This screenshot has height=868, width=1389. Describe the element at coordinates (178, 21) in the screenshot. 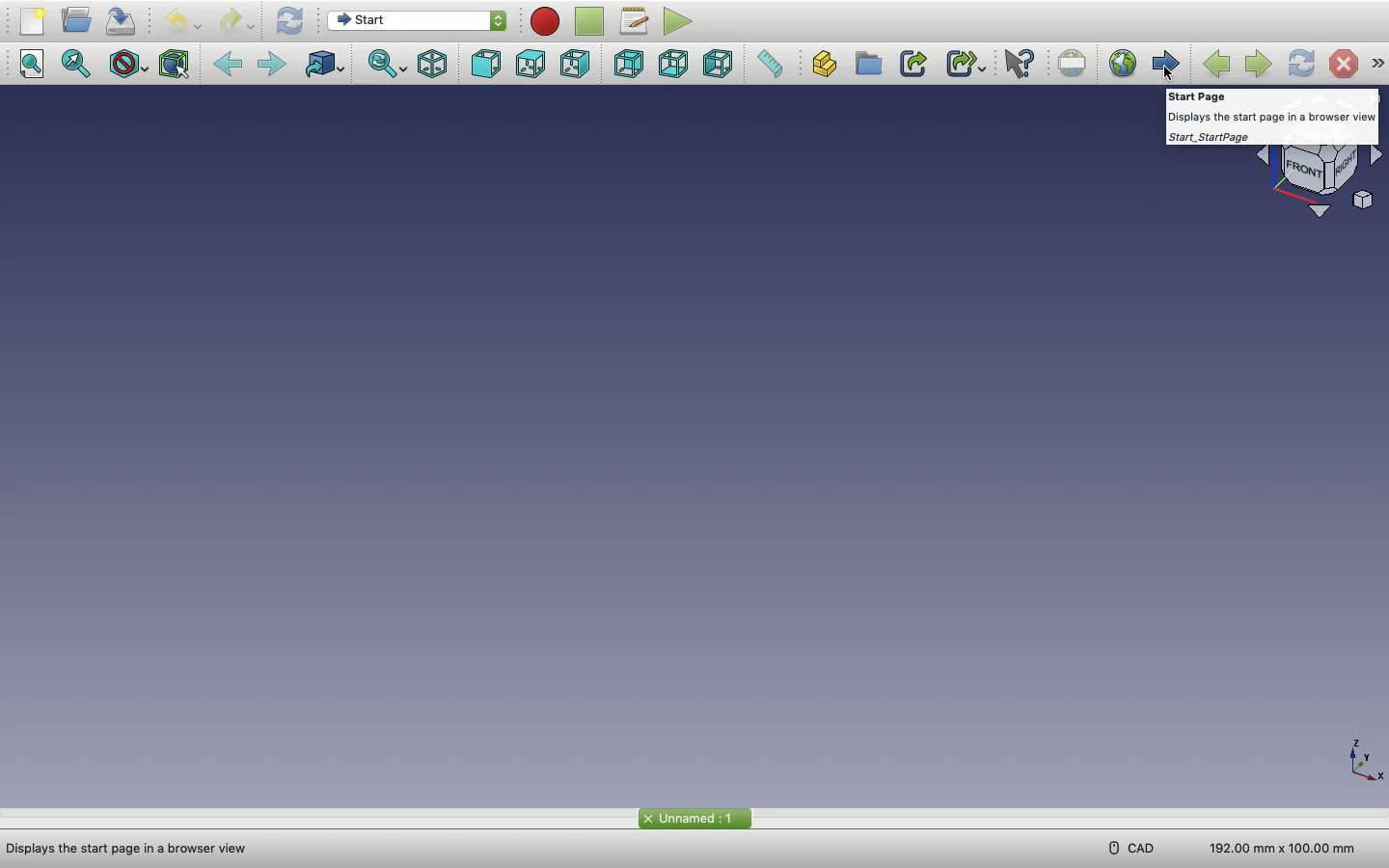

I see `Undo` at that location.